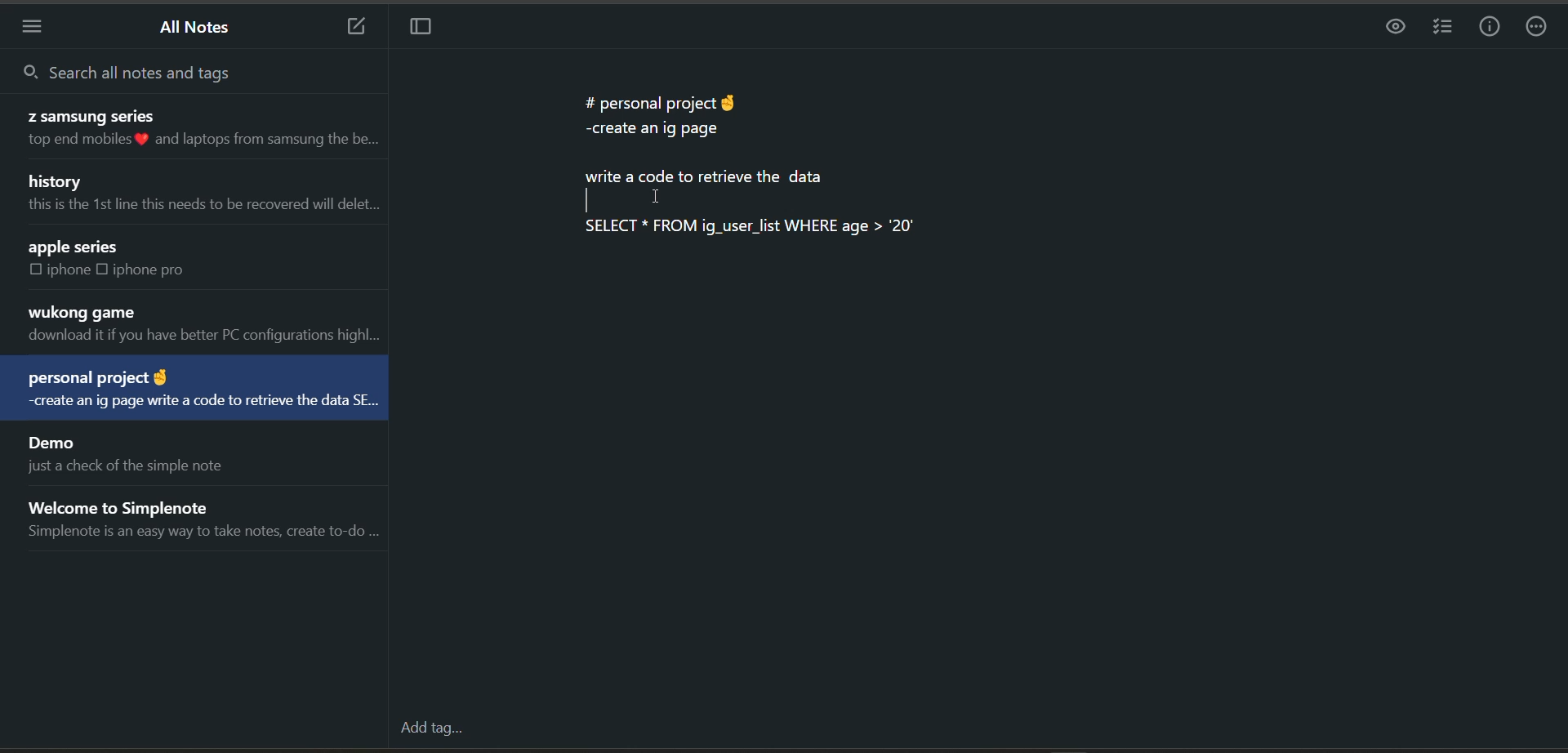 The height and width of the screenshot is (753, 1568). I want to click on preview, so click(1392, 28).